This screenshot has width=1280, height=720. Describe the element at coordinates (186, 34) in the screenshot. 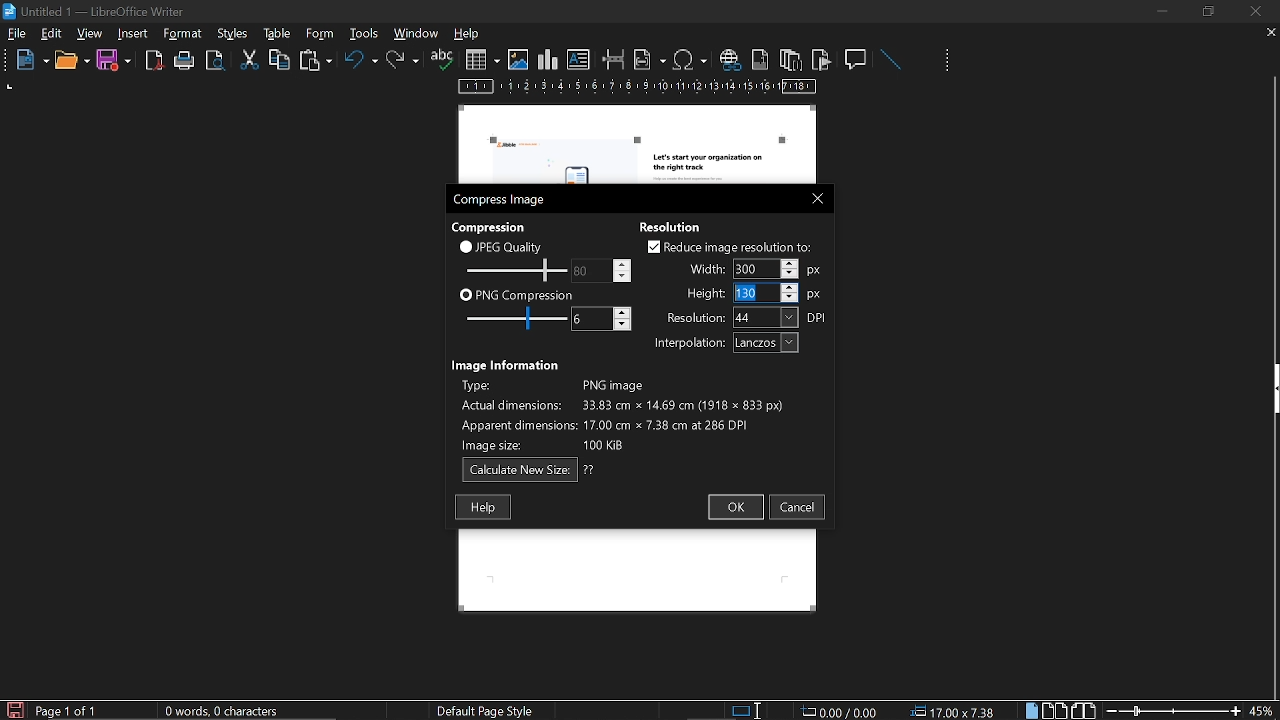

I see `tools` at that location.